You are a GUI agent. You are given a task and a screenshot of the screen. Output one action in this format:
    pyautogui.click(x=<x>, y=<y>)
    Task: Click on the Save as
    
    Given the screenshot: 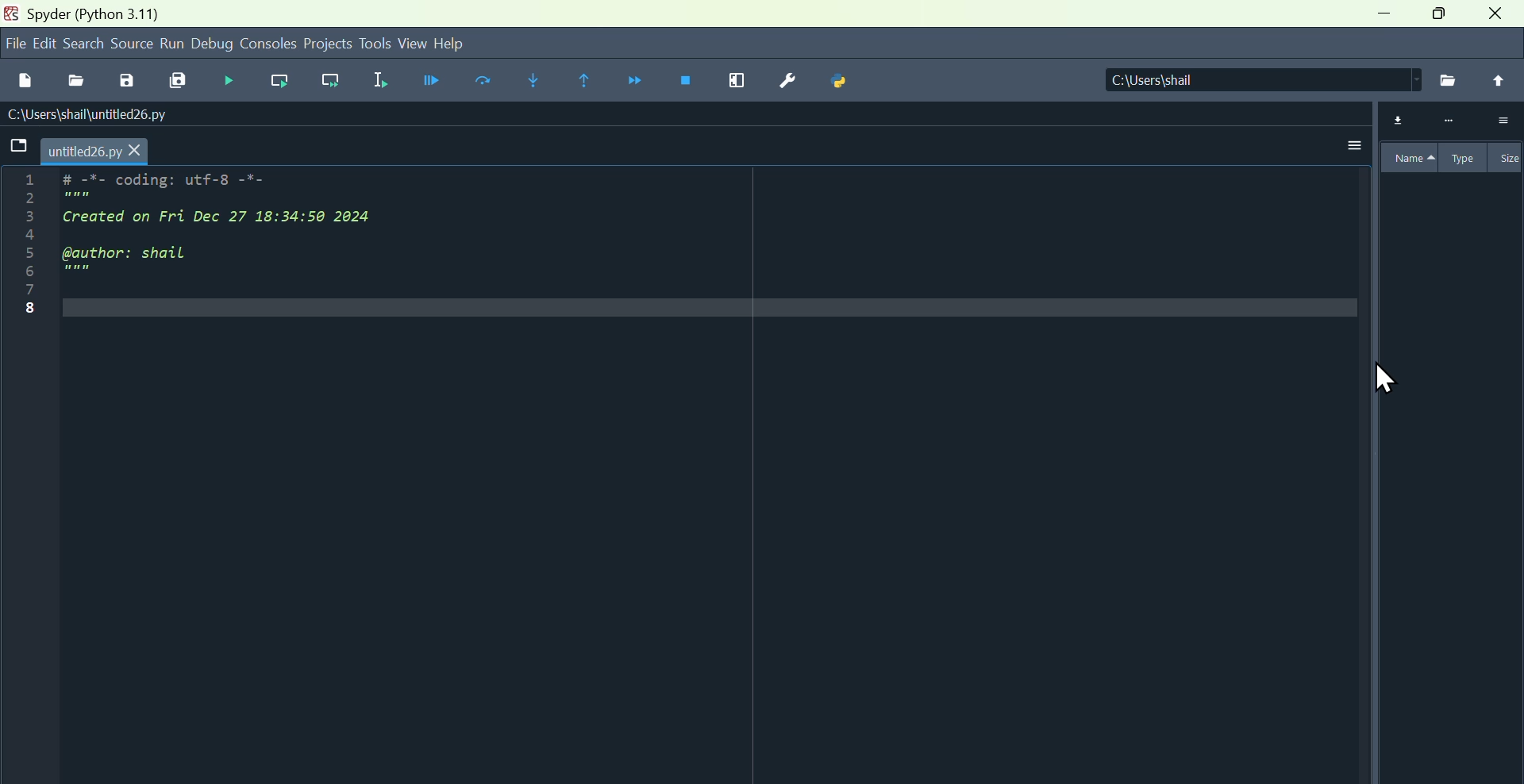 What is the action you would take?
    pyautogui.click(x=125, y=80)
    